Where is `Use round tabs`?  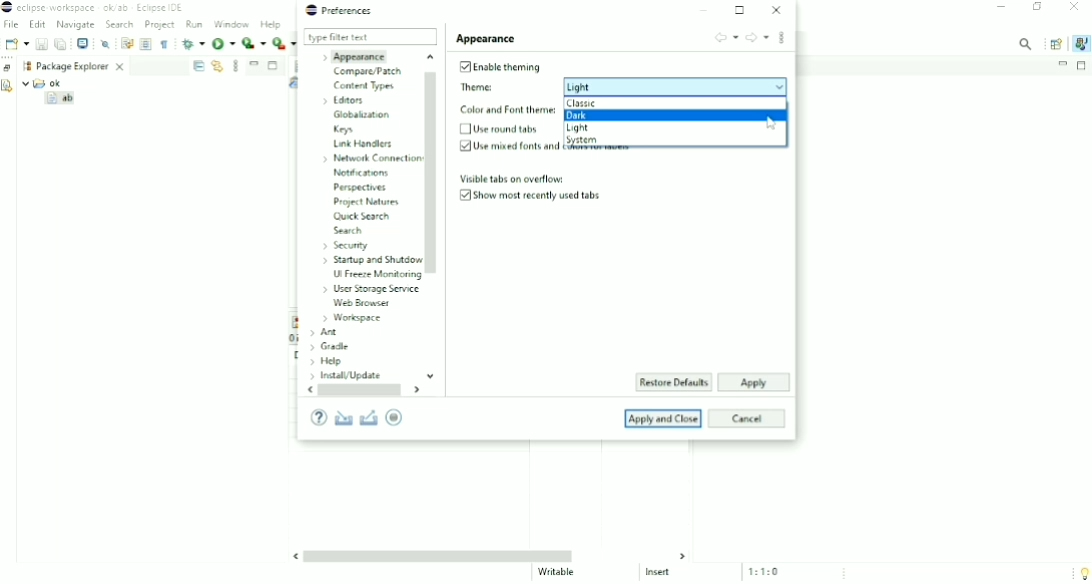 Use round tabs is located at coordinates (501, 130).